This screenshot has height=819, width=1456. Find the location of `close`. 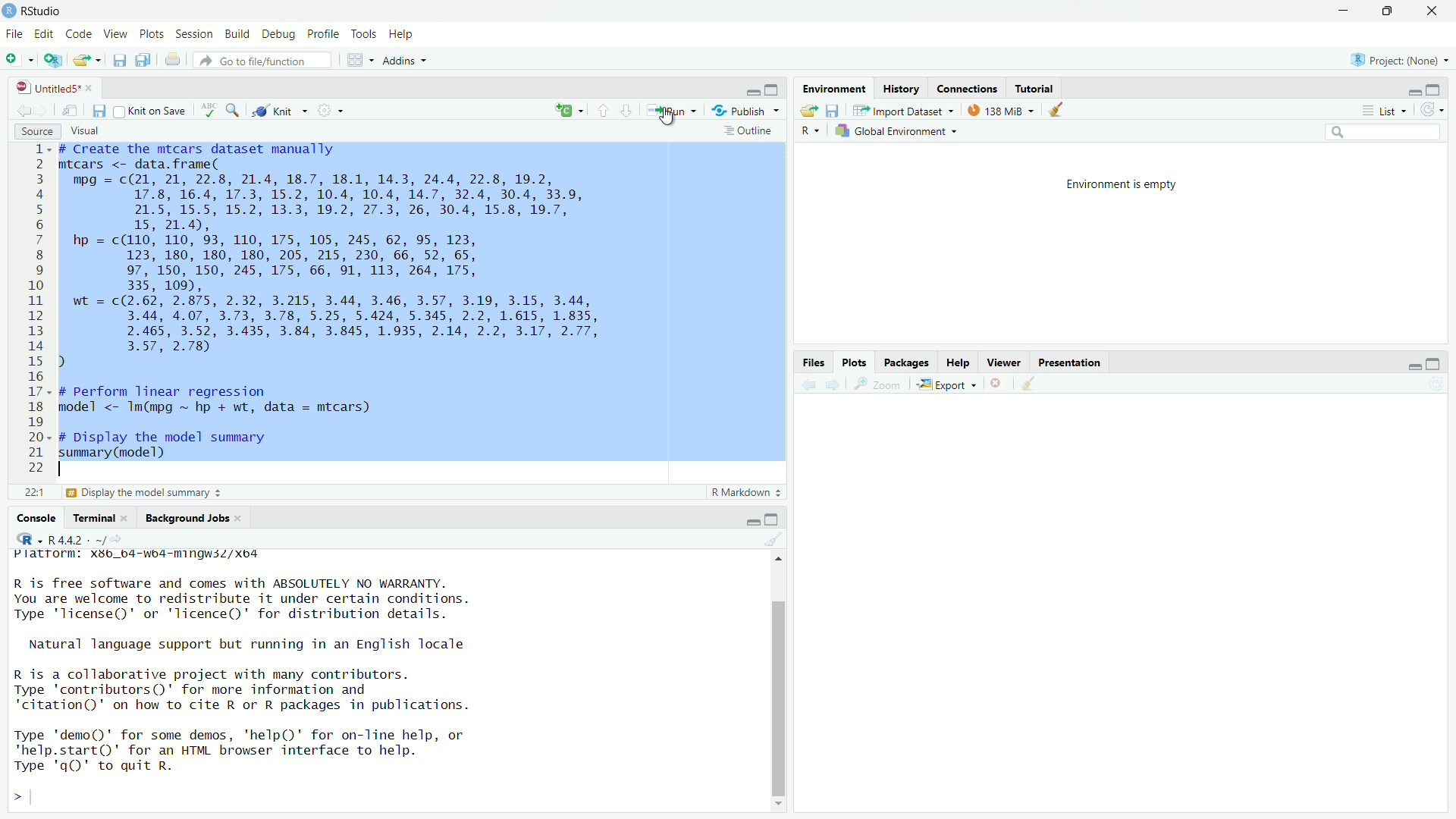

close is located at coordinates (1434, 11).